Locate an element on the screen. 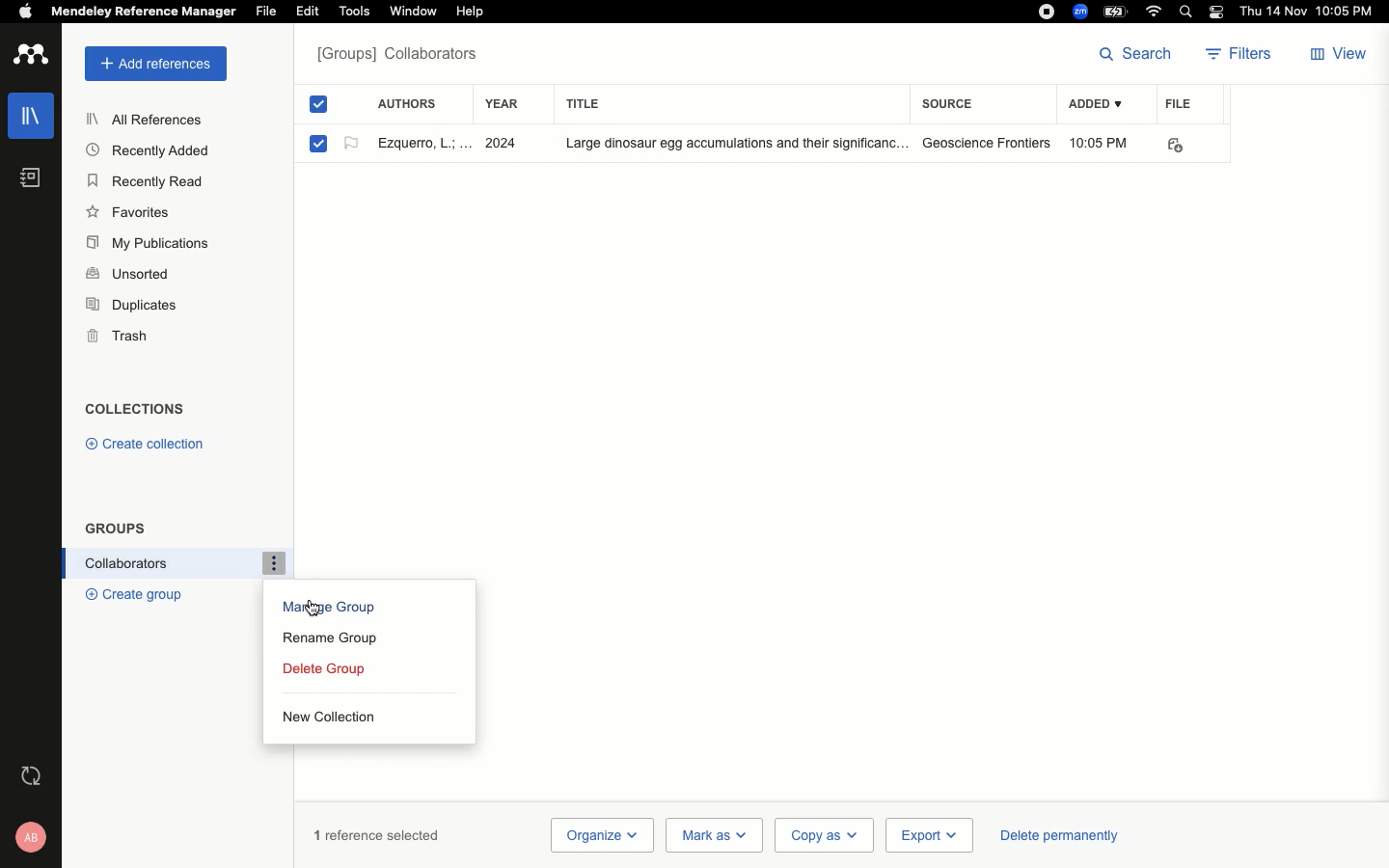  Favorites is located at coordinates (130, 214).